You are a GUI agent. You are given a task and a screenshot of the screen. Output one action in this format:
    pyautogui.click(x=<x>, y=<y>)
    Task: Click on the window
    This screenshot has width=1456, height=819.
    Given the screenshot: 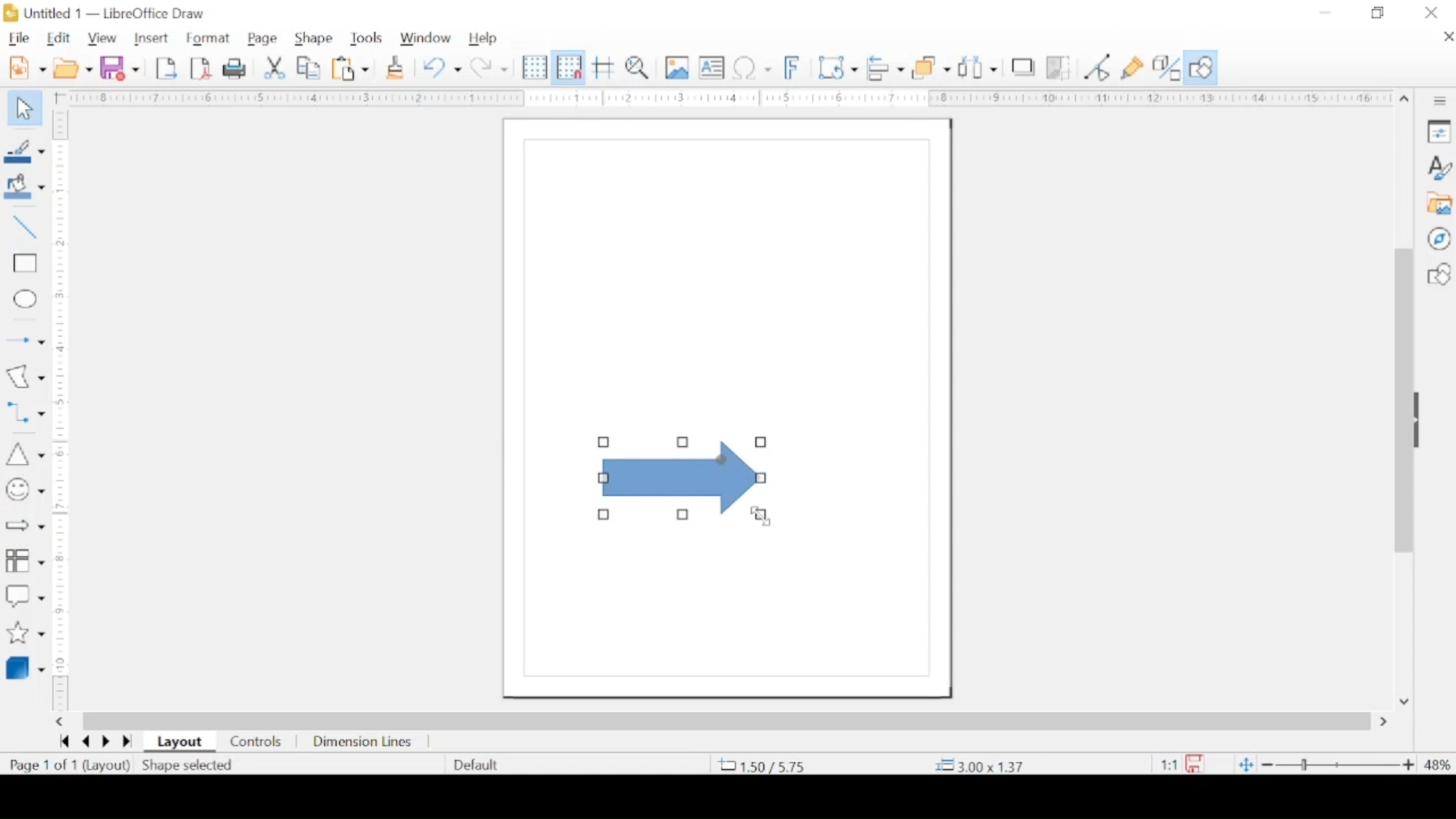 What is the action you would take?
    pyautogui.click(x=427, y=38)
    